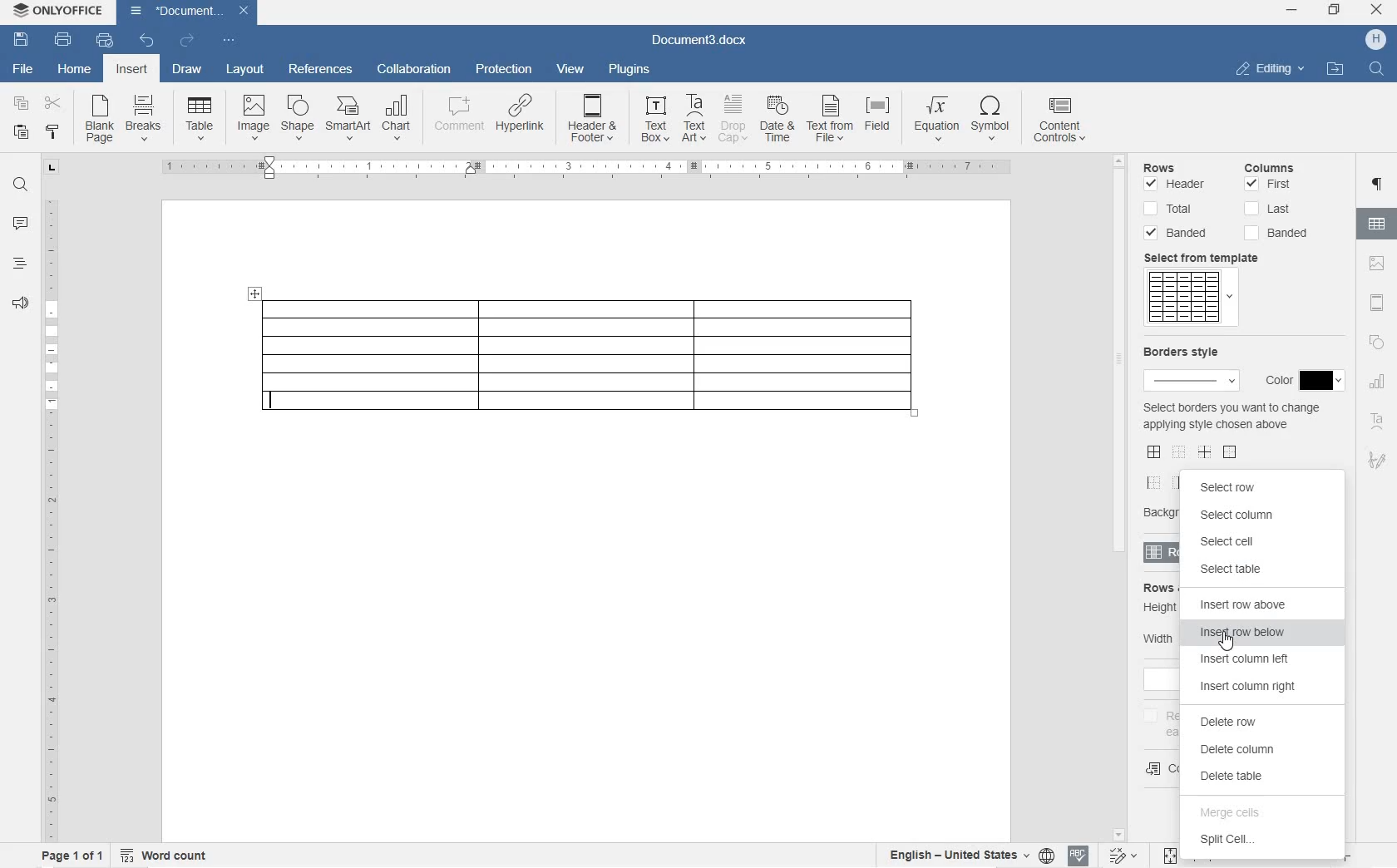 This screenshot has width=1397, height=868. Describe the element at coordinates (52, 104) in the screenshot. I see `CUT` at that location.